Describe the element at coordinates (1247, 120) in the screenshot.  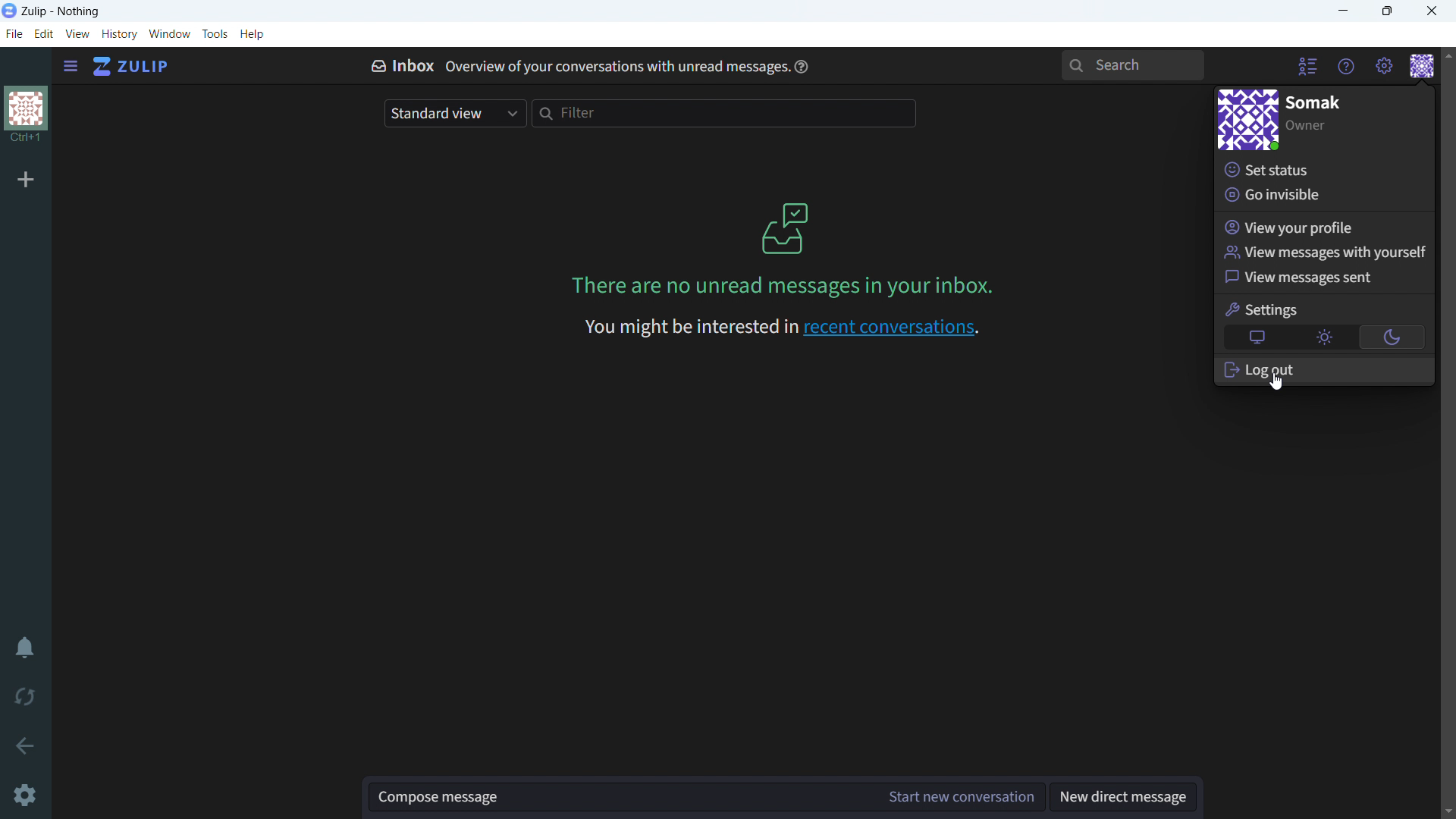
I see `profile picture` at that location.